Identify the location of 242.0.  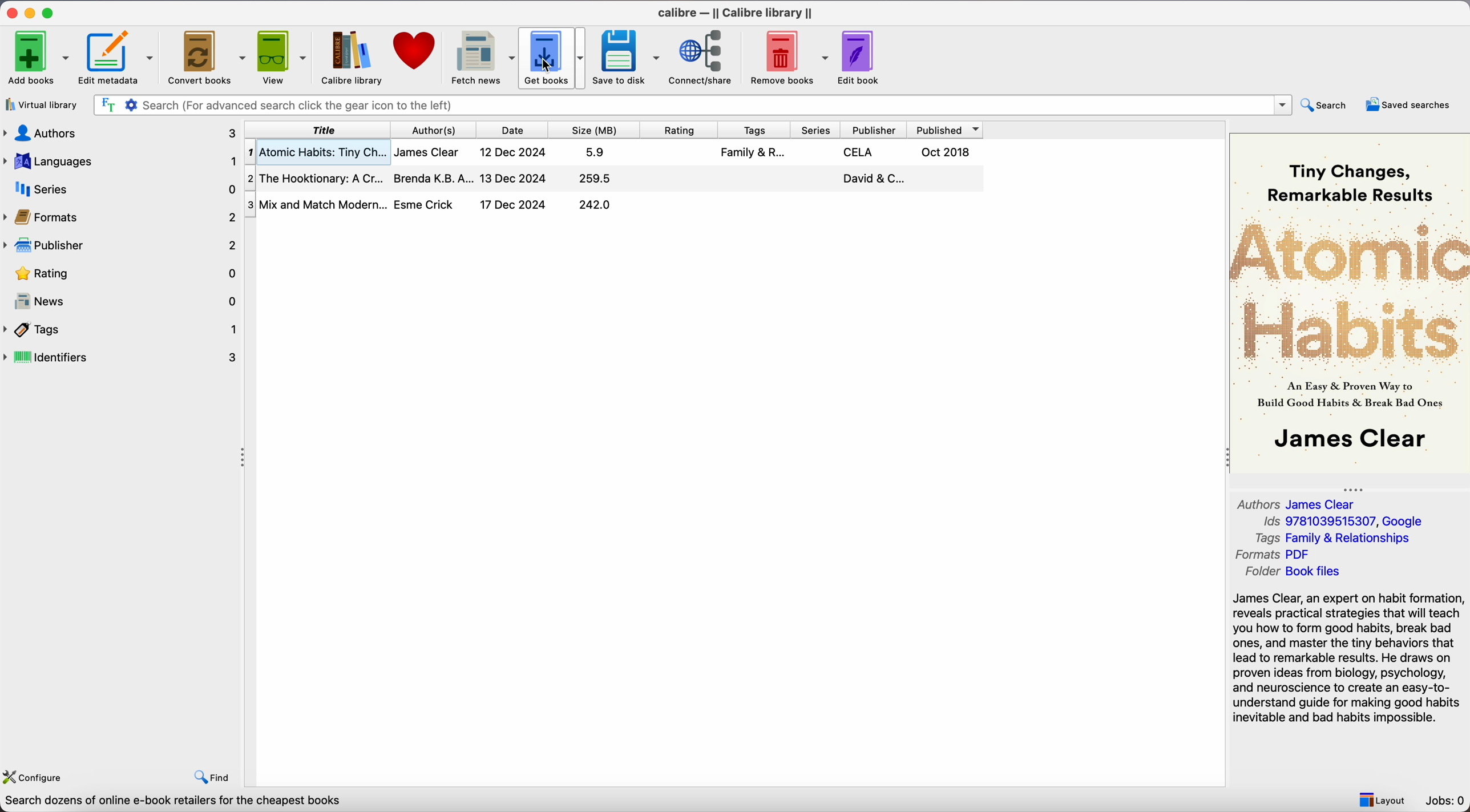
(595, 204).